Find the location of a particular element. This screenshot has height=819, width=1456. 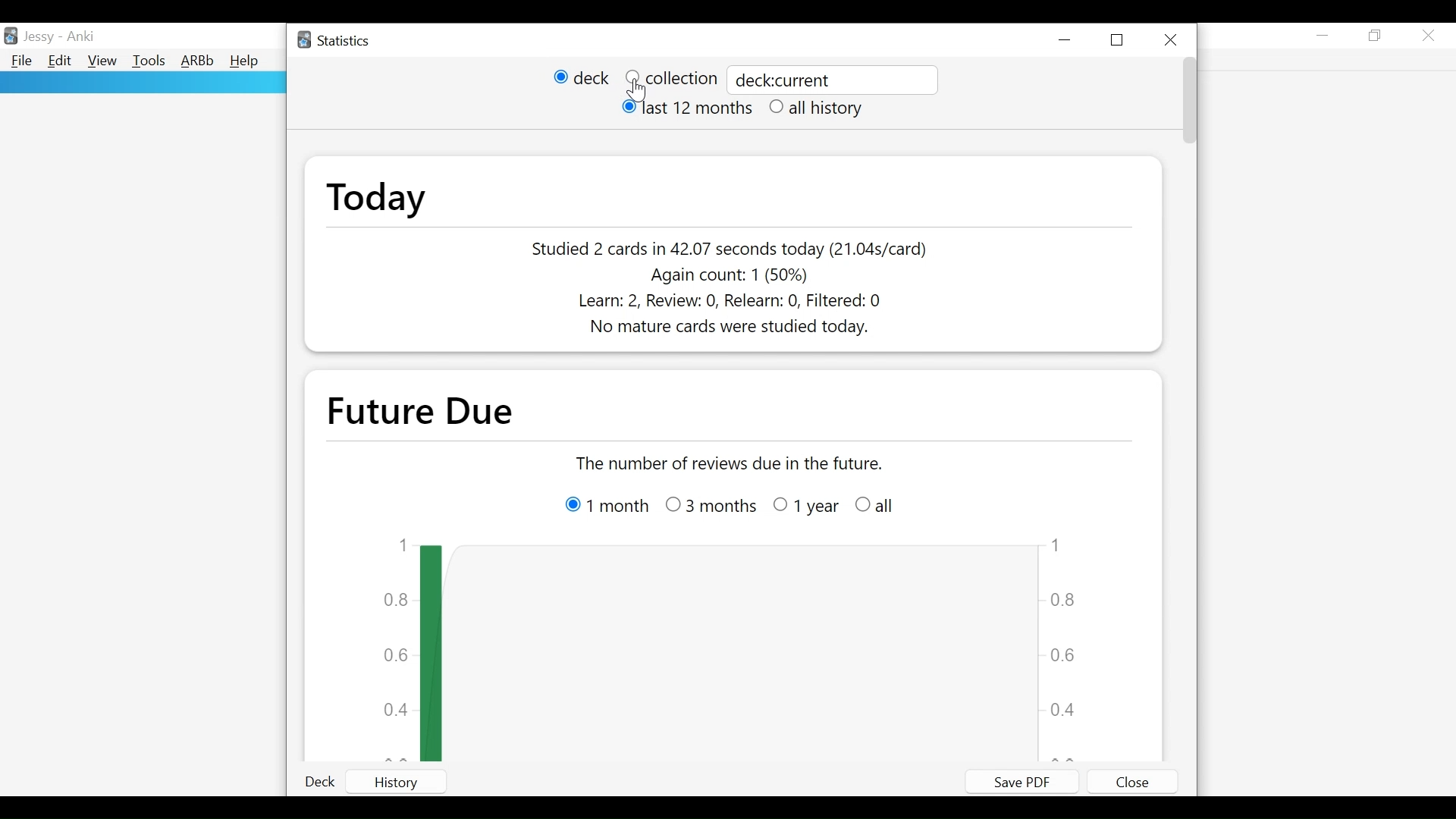

deck:current is located at coordinates (831, 80).